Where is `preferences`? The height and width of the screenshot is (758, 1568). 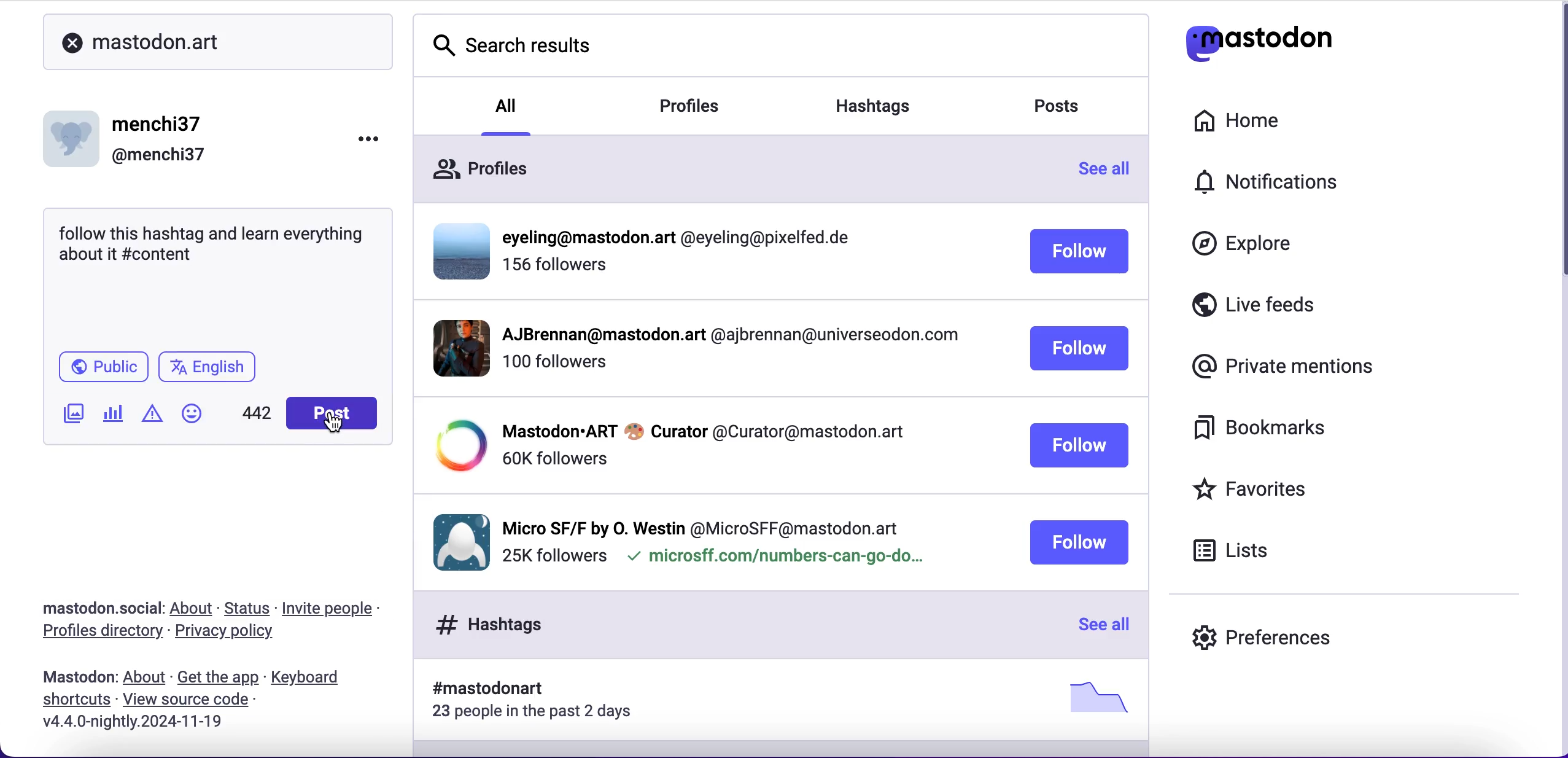
preferences is located at coordinates (1316, 633).